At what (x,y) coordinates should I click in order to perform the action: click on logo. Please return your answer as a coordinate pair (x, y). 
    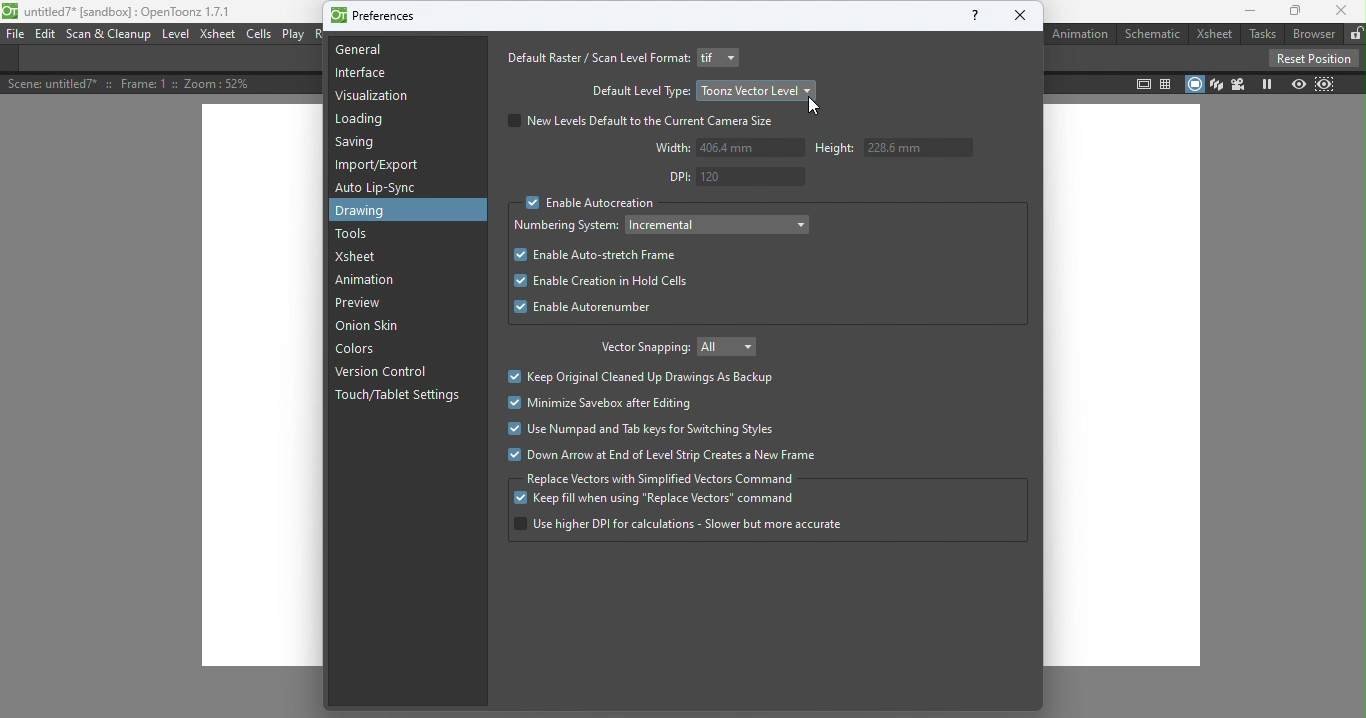
    Looking at the image, I should click on (11, 12).